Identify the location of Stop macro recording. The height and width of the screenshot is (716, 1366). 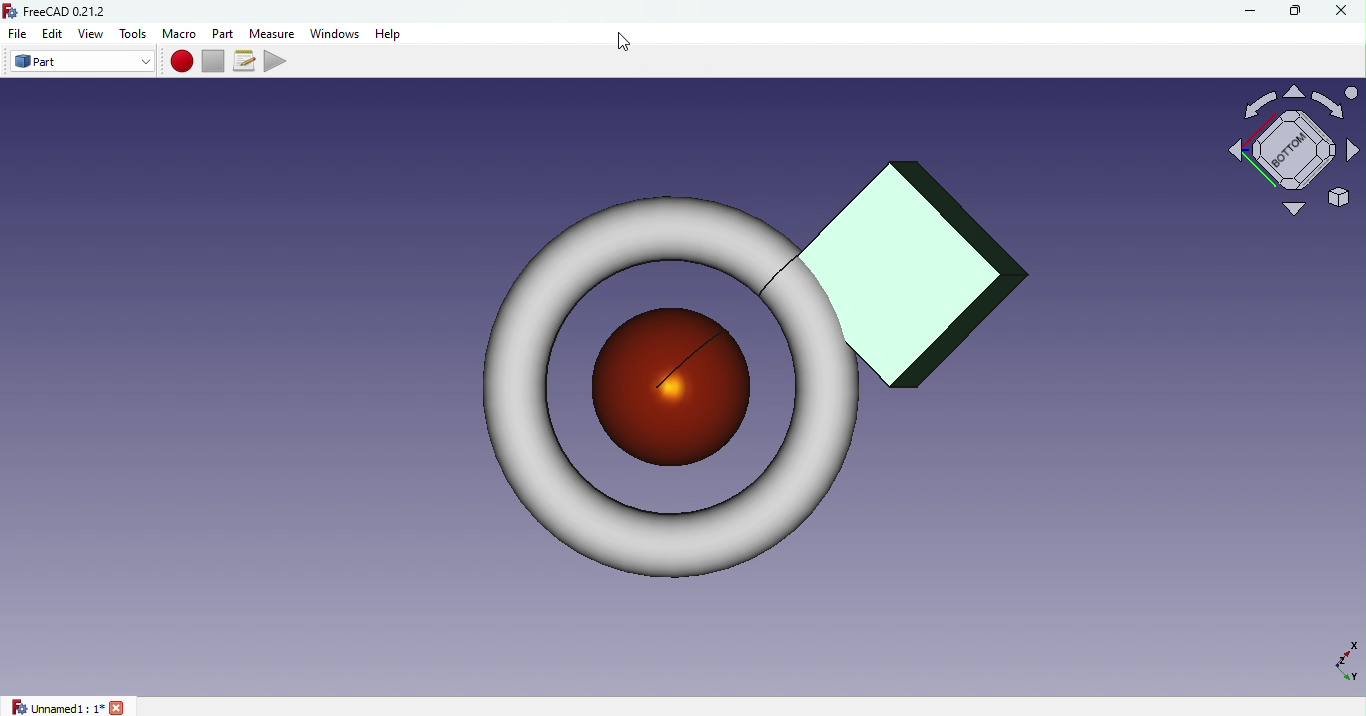
(212, 61).